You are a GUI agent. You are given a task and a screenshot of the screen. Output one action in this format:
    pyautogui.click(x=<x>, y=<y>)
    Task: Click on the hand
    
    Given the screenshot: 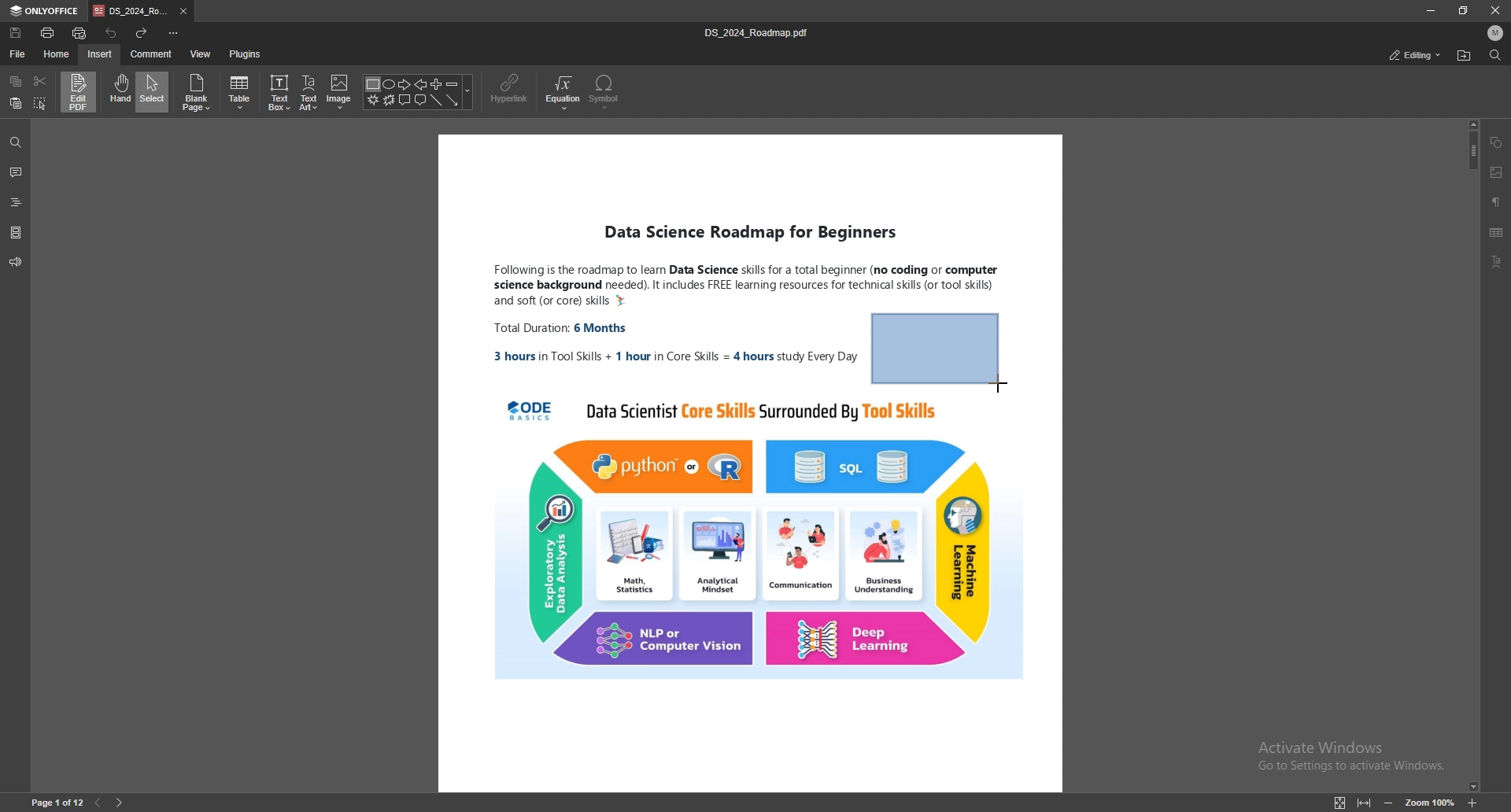 What is the action you would take?
    pyautogui.click(x=119, y=92)
    